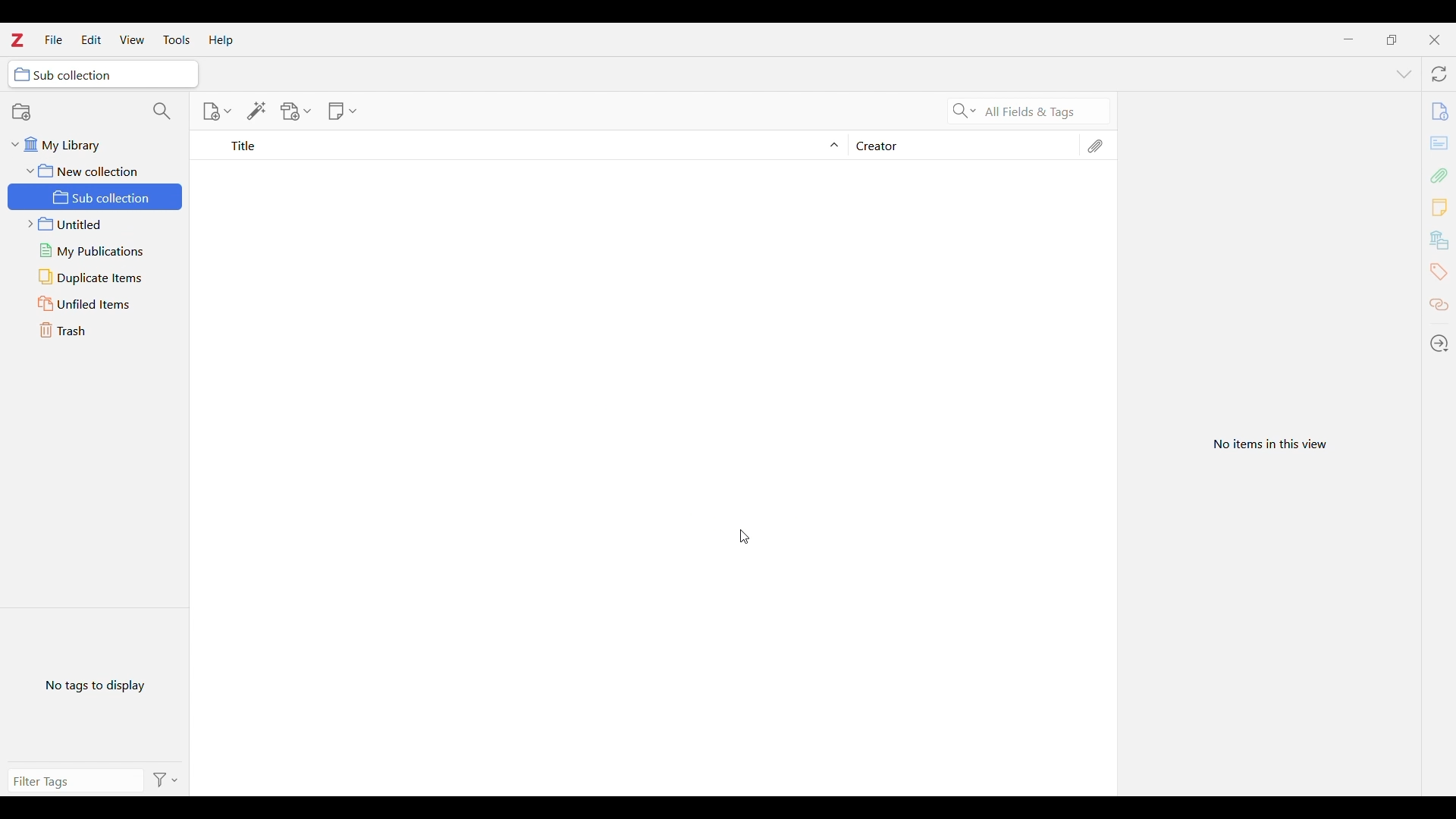  I want to click on Duplicate items folder, so click(95, 251).